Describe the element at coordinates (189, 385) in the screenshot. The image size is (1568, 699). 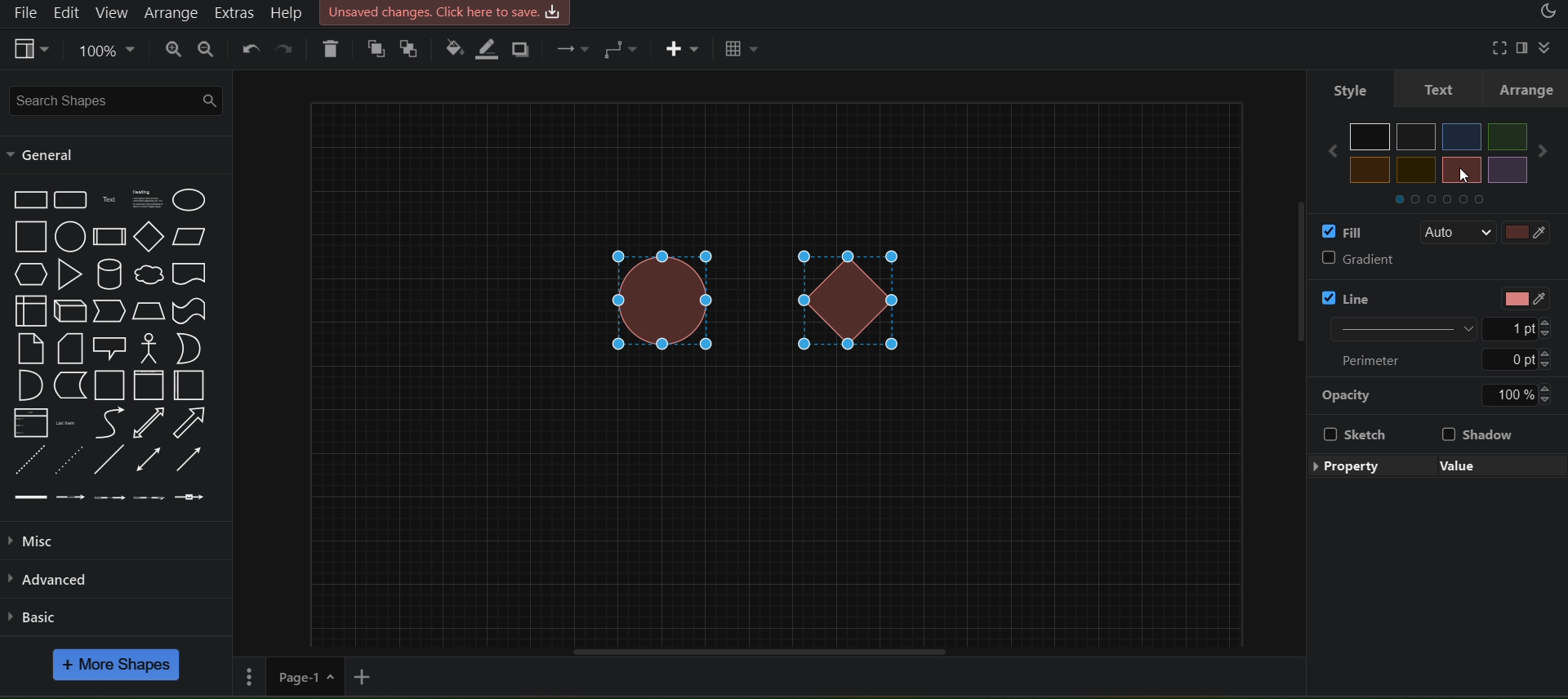
I see `Horizantal Contianer` at that location.